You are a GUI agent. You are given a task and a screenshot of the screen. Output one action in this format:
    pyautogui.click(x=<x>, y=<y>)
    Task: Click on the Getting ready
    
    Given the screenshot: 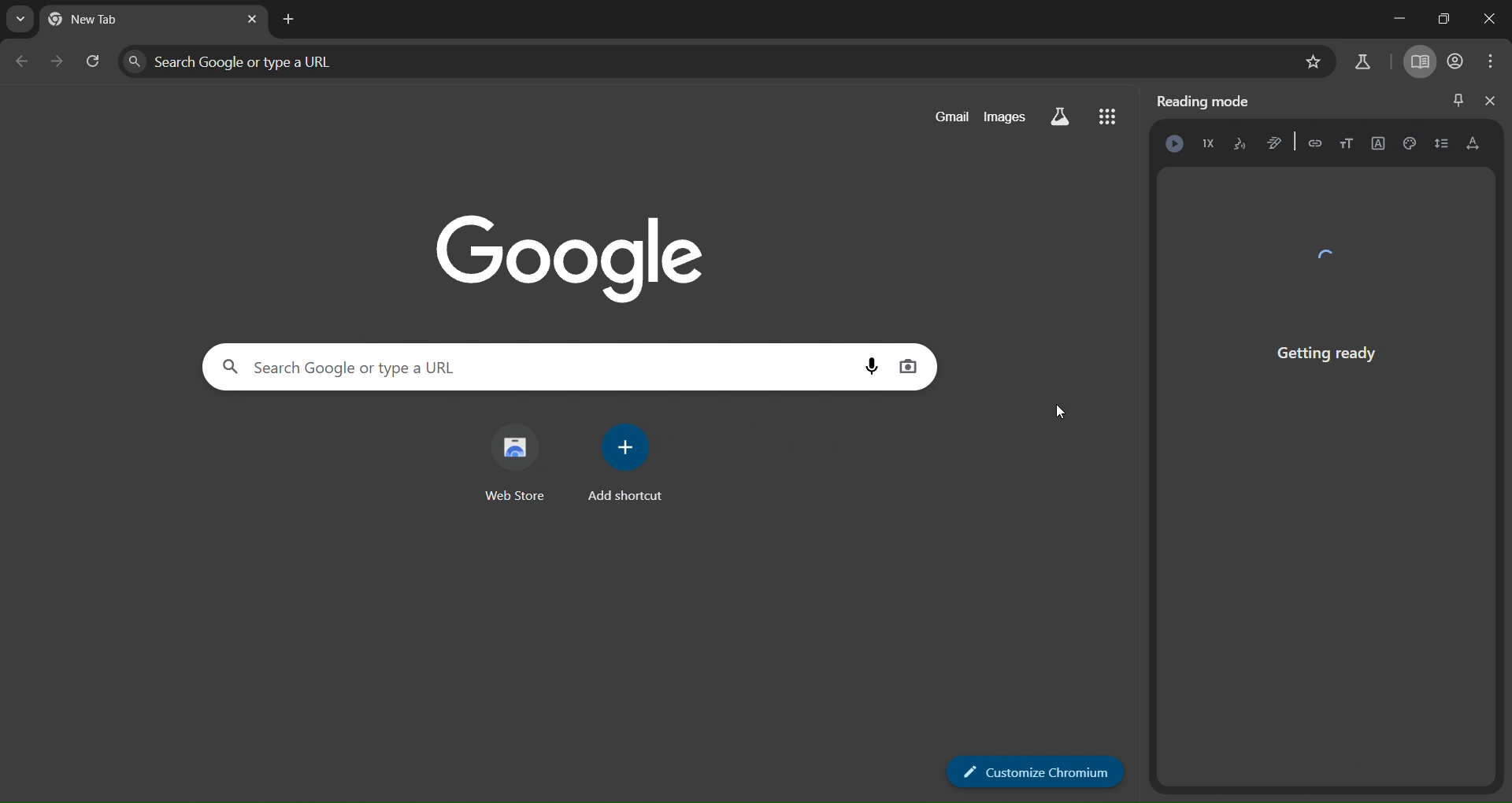 What is the action you would take?
    pyautogui.click(x=1326, y=314)
    